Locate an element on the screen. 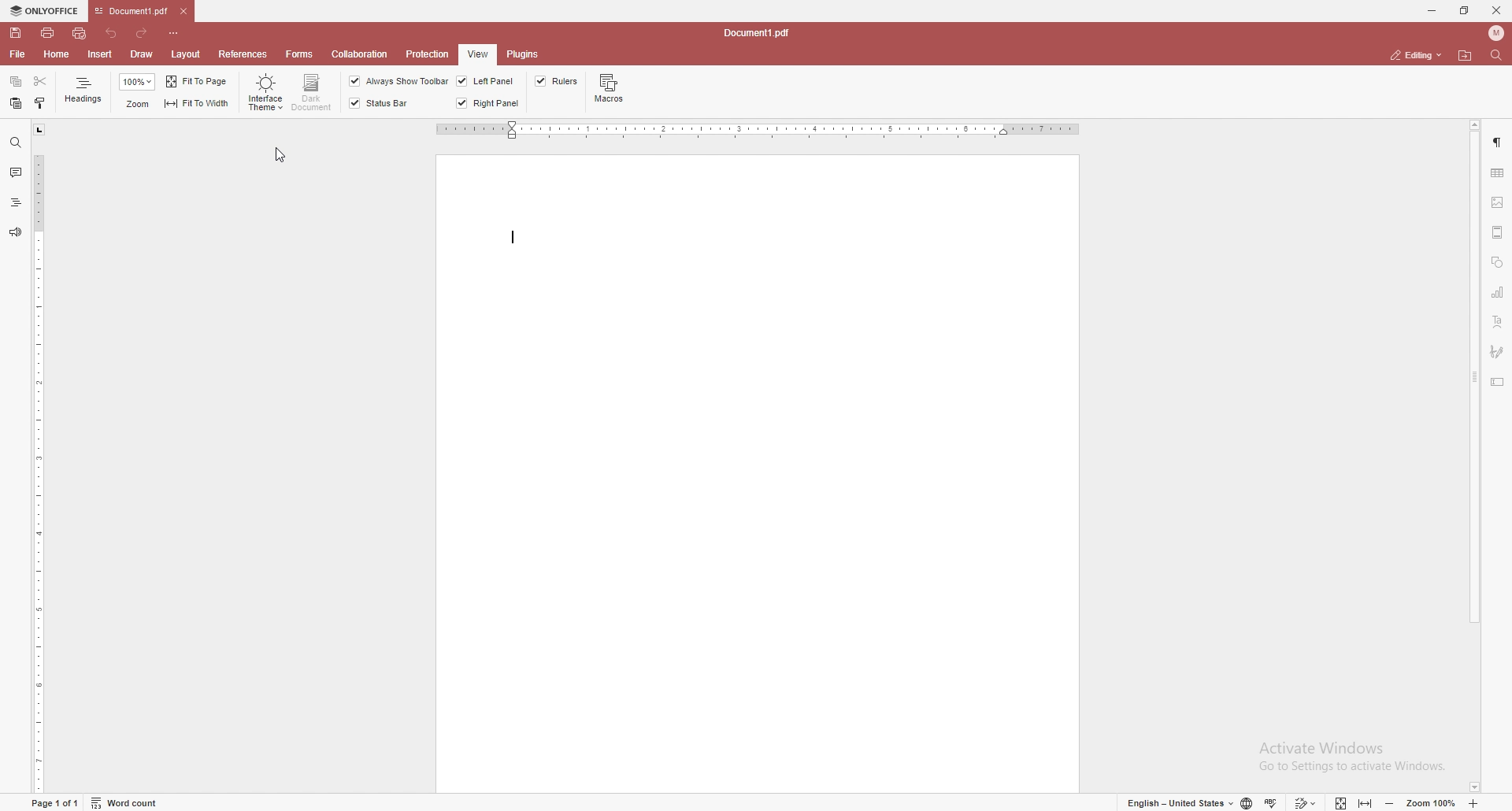  profile is located at coordinates (1497, 33).